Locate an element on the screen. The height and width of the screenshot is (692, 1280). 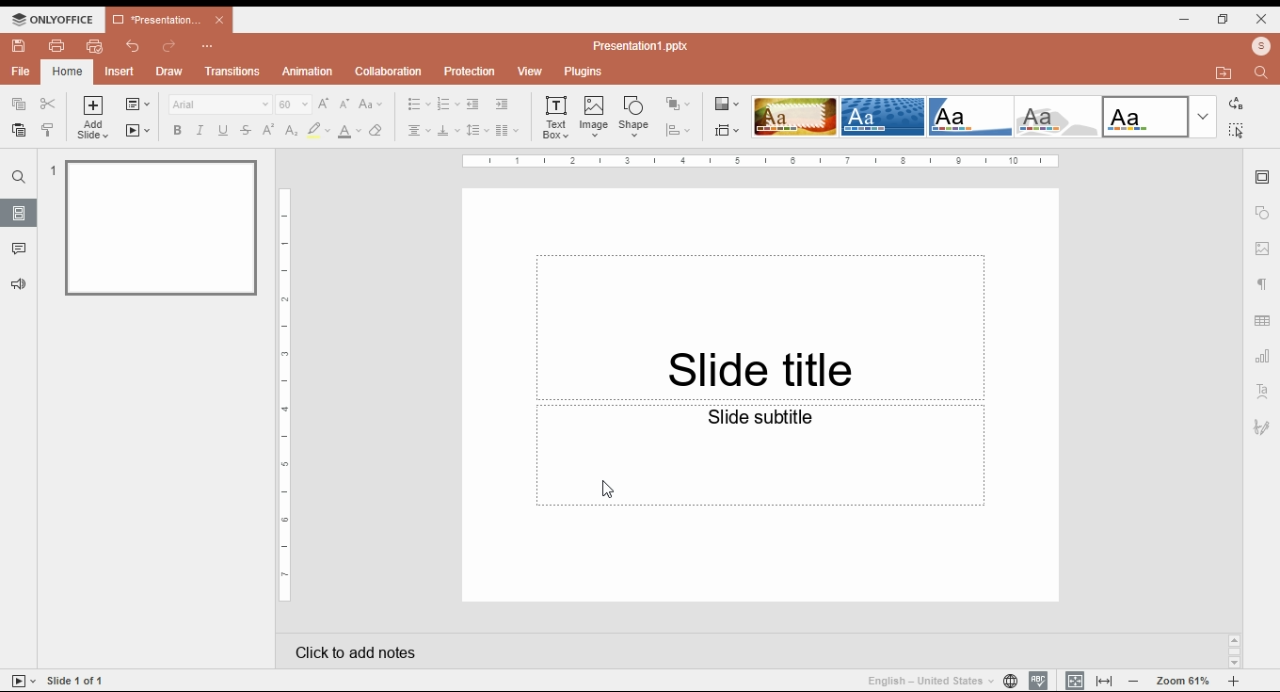
Slide subtitle is located at coordinates (762, 506).